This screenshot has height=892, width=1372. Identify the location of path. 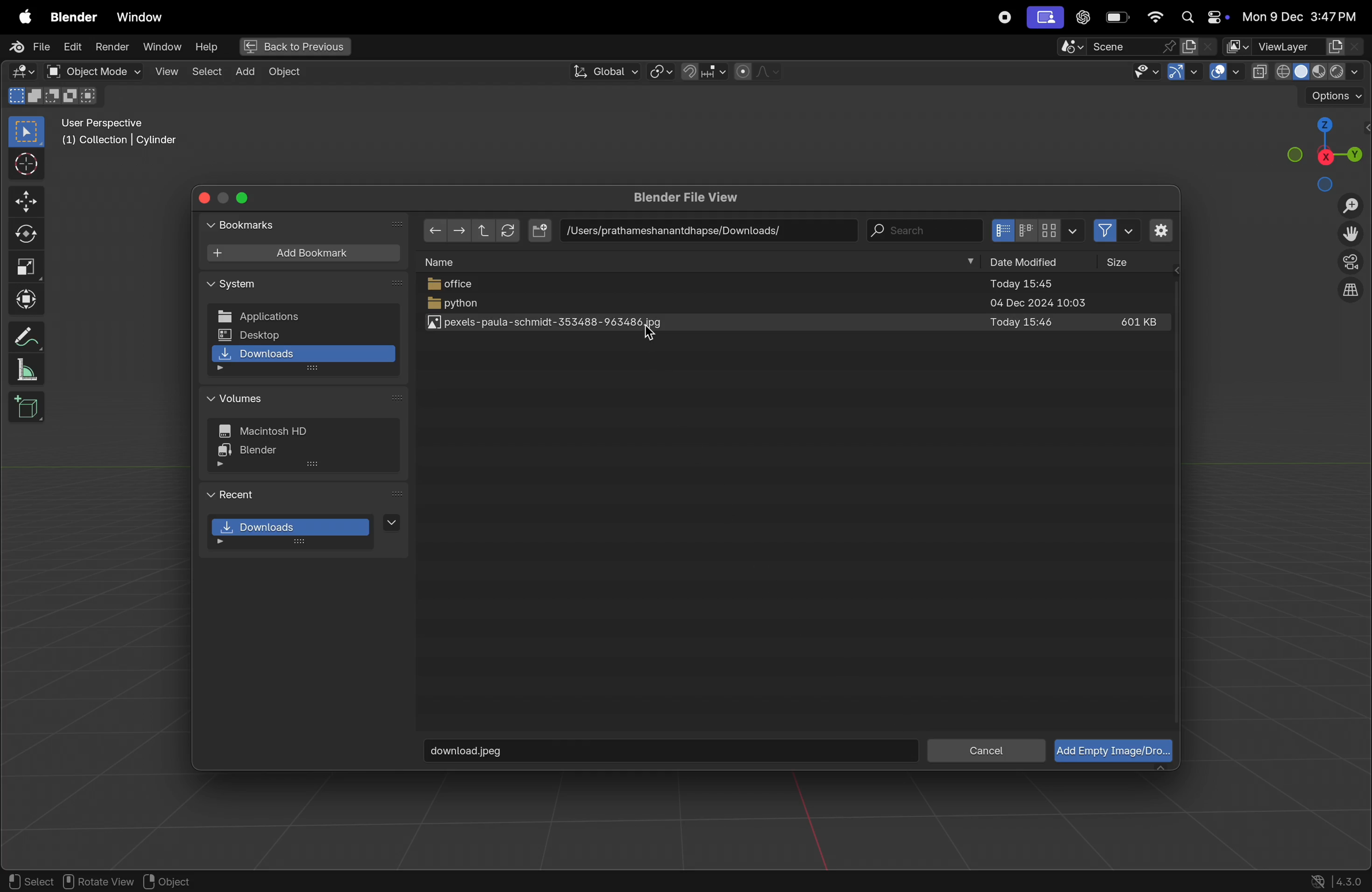
(703, 229).